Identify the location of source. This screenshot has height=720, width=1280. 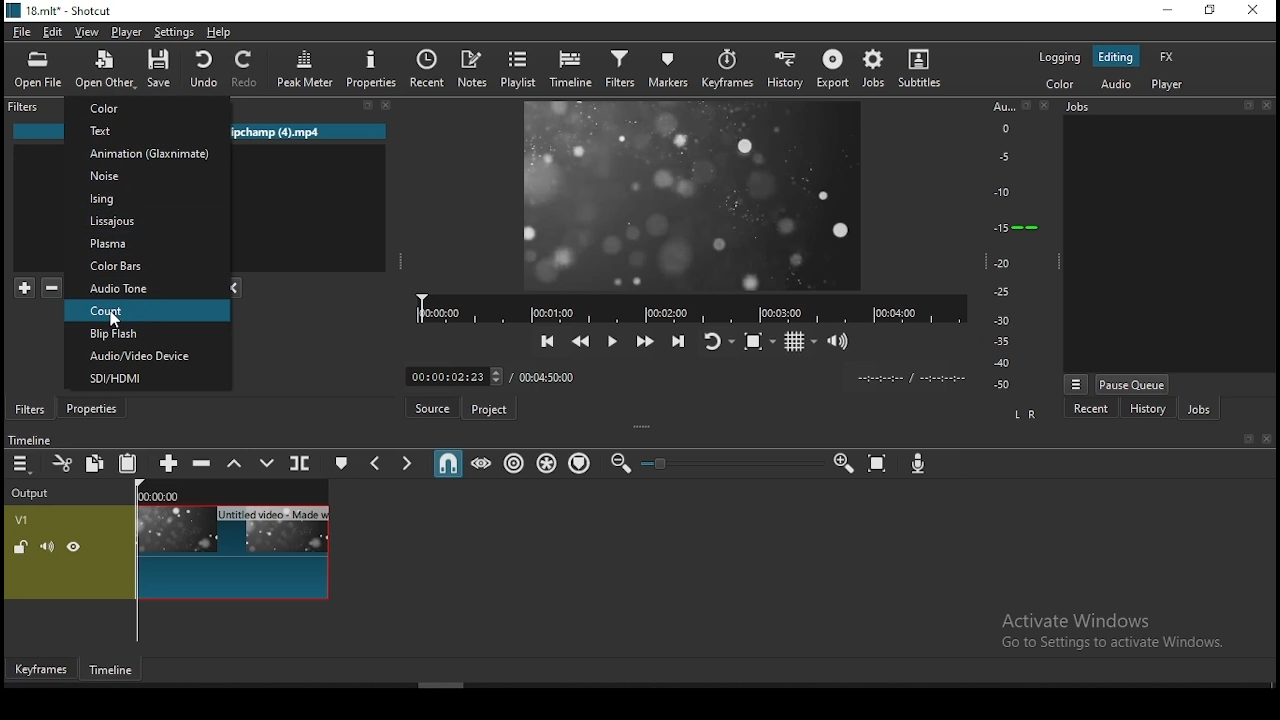
(432, 408).